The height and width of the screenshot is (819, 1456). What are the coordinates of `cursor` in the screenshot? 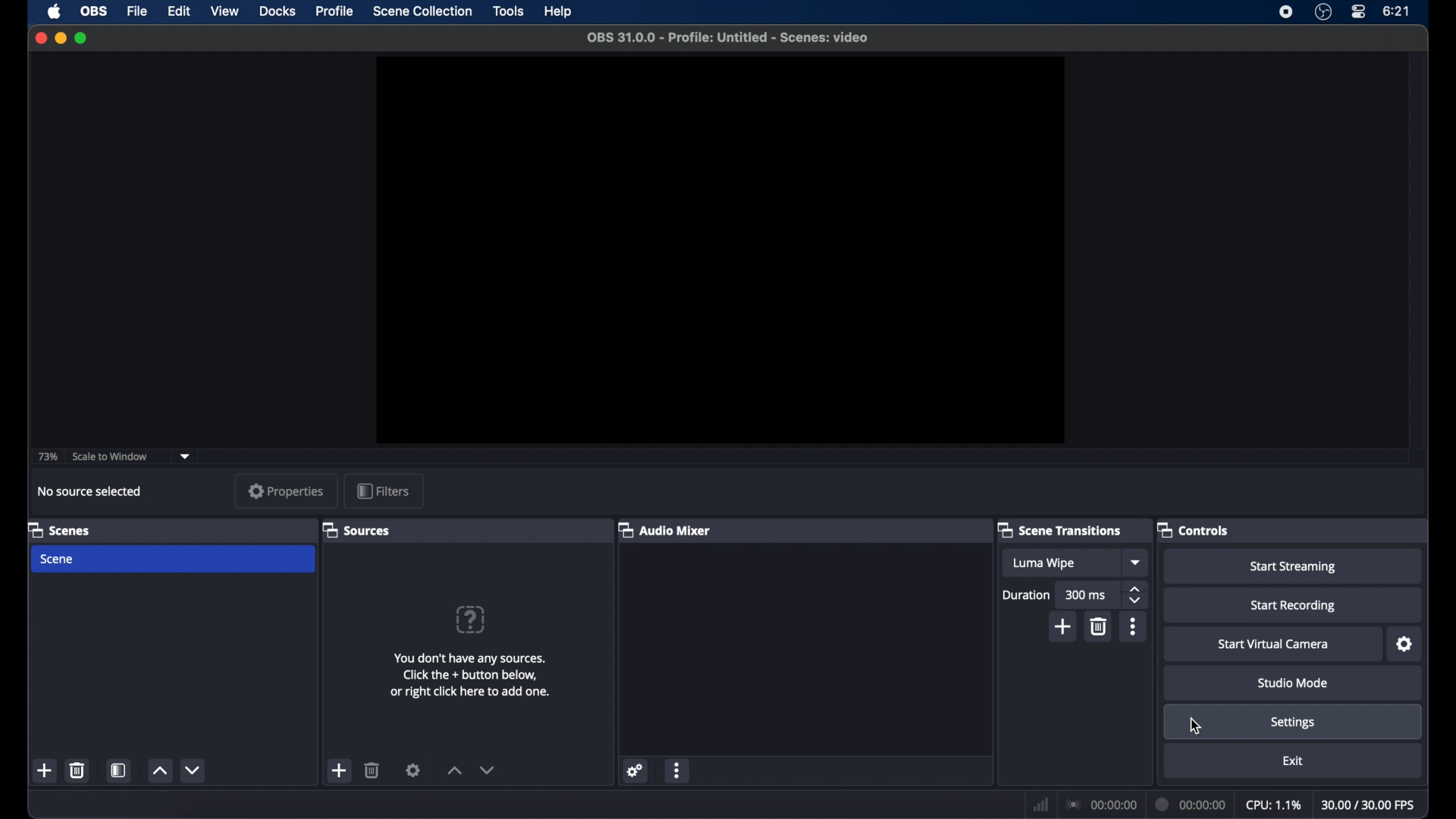 It's located at (1196, 726).